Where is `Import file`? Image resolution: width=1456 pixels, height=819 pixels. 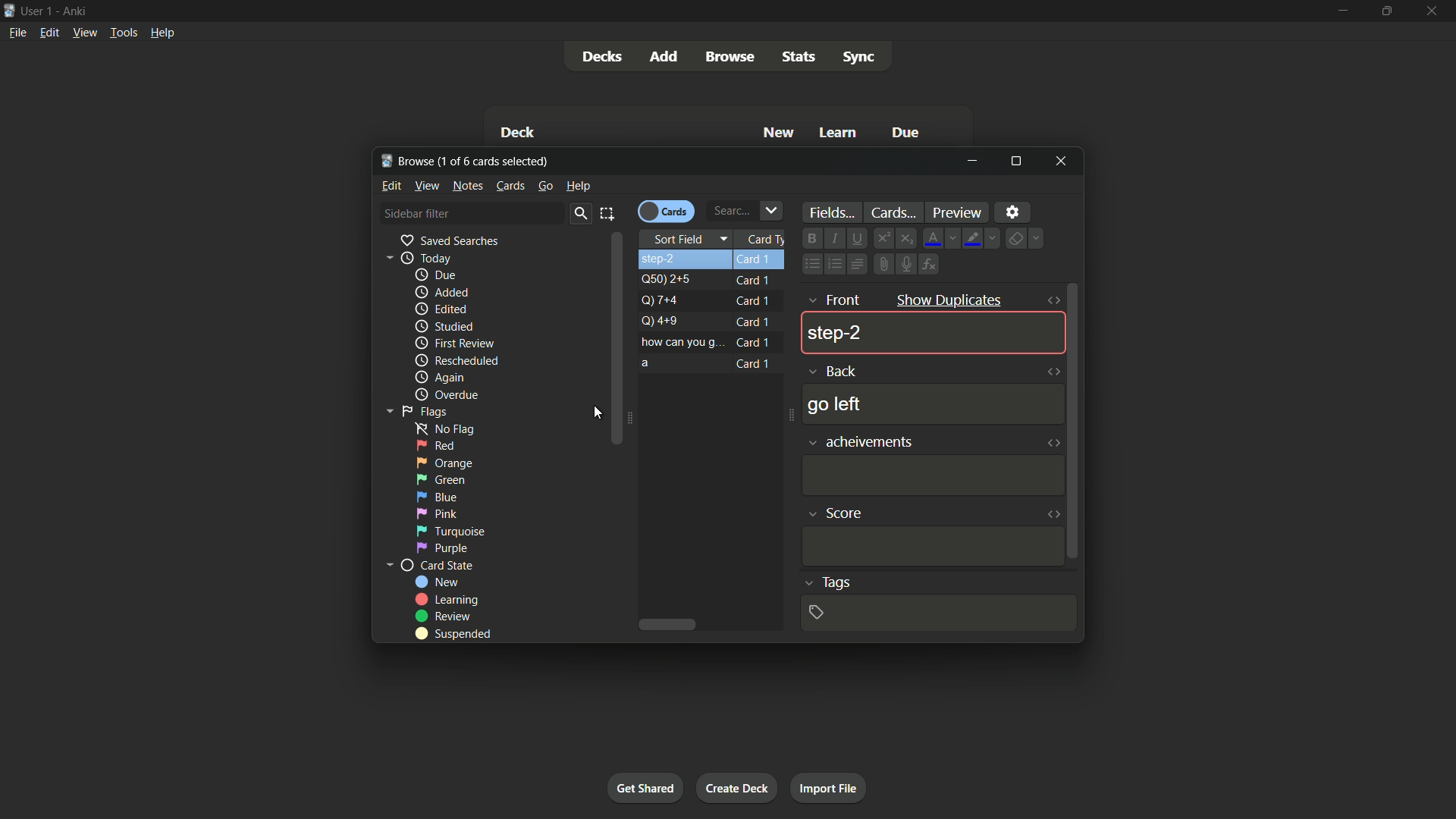 Import file is located at coordinates (830, 789).